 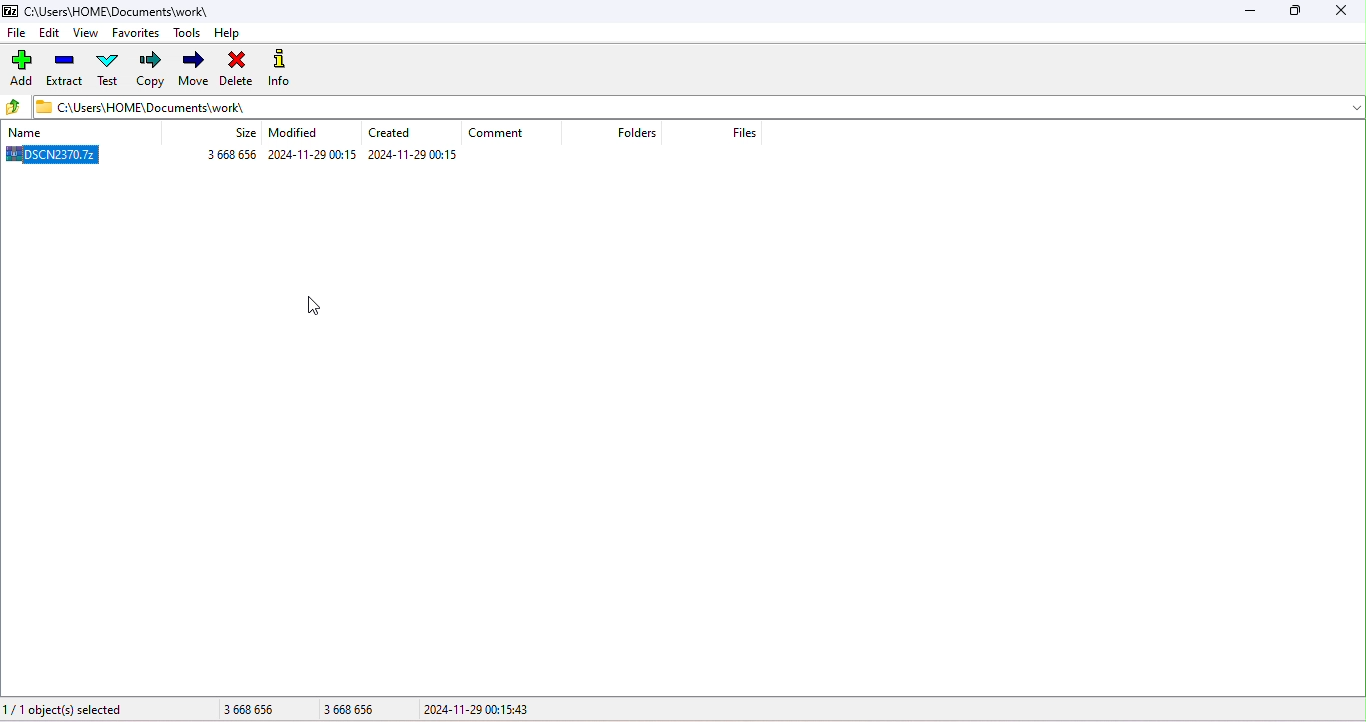 What do you see at coordinates (152, 68) in the screenshot?
I see `copy` at bounding box center [152, 68].